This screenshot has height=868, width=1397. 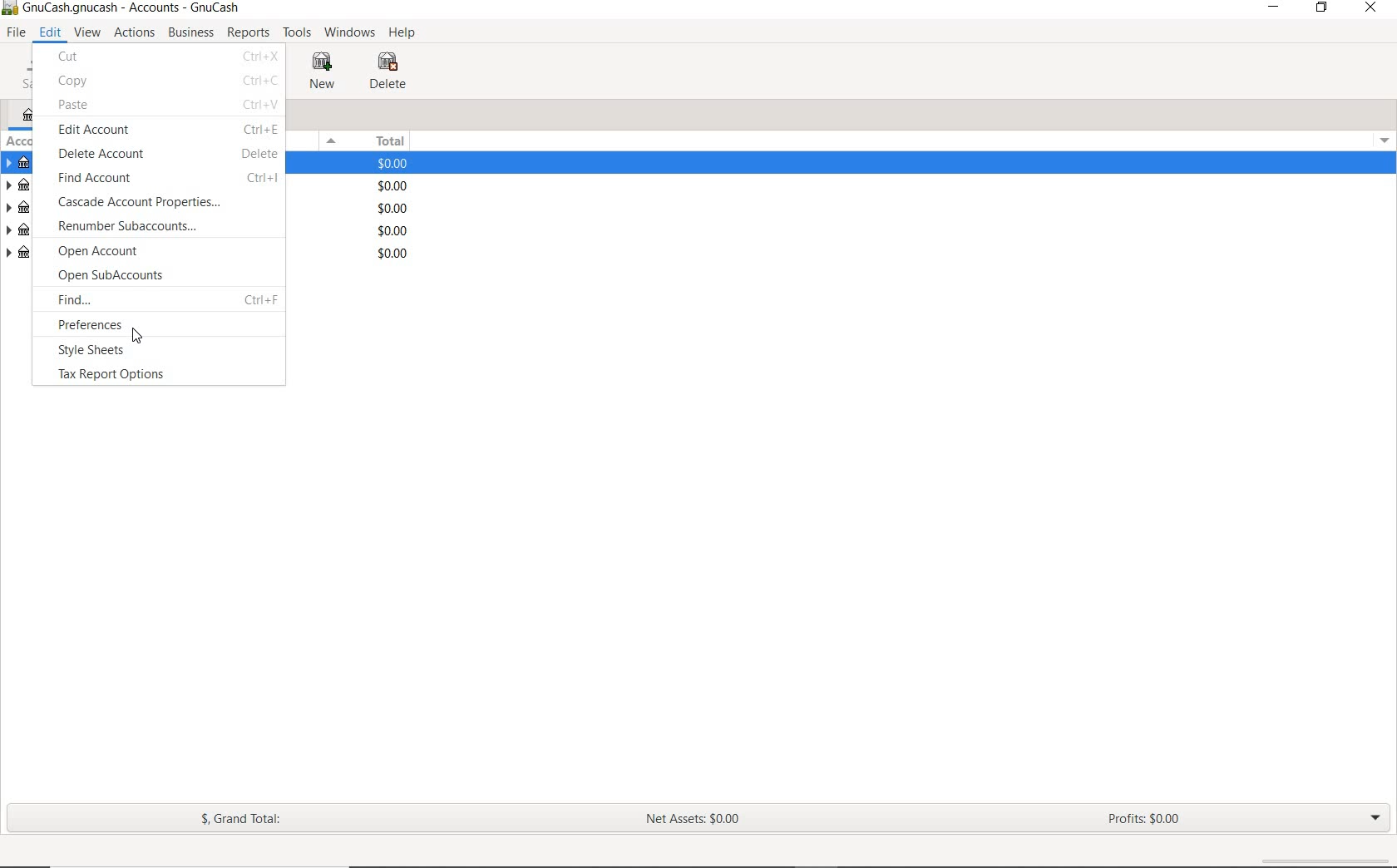 What do you see at coordinates (165, 201) in the screenshot?
I see `CASCADE ACCOUNT PROPERTIES` at bounding box center [165, 201].